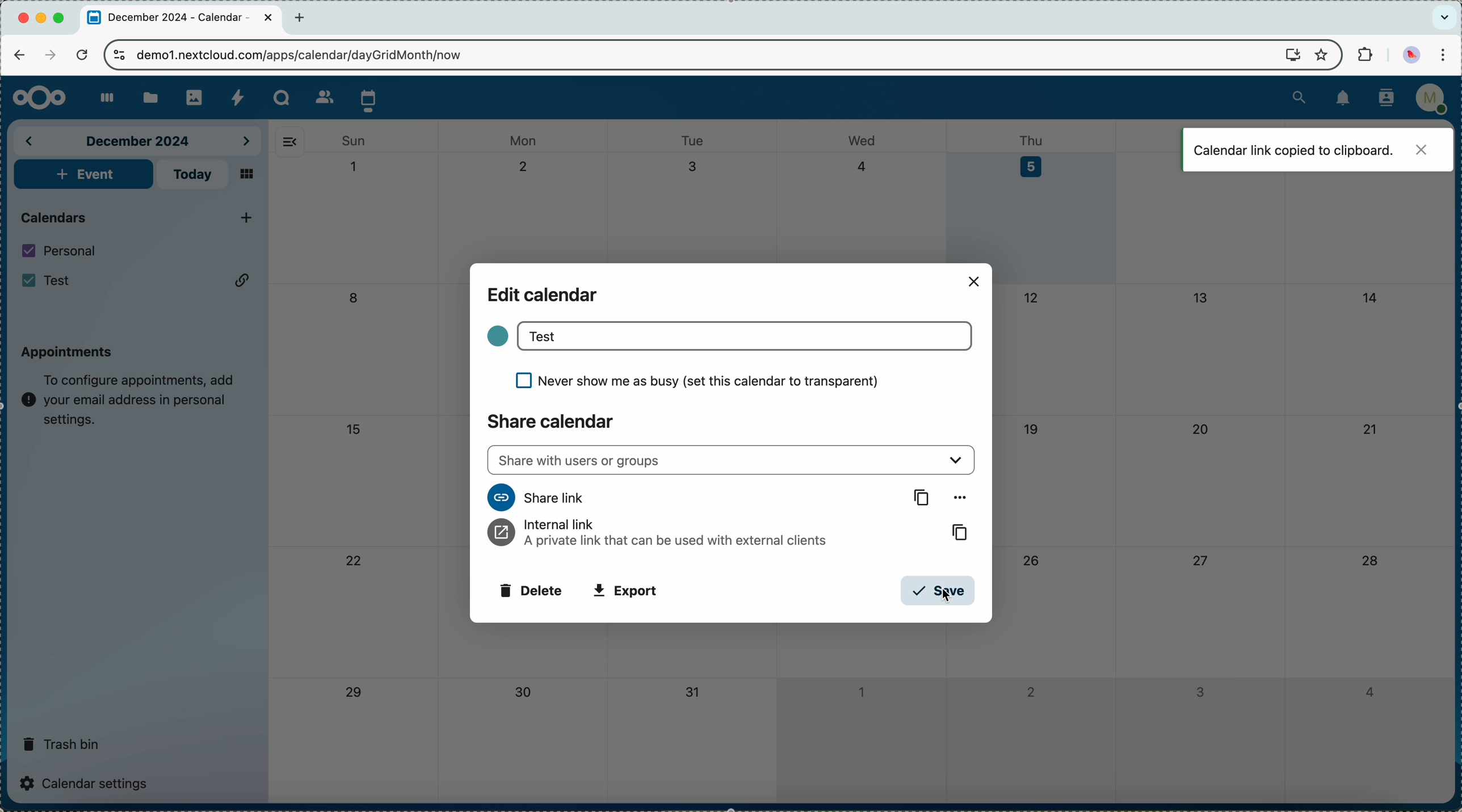  What do you see at coordinates (87, 782) in the screenshot?
I see `calendar settings` at bounding box center [87, 782].